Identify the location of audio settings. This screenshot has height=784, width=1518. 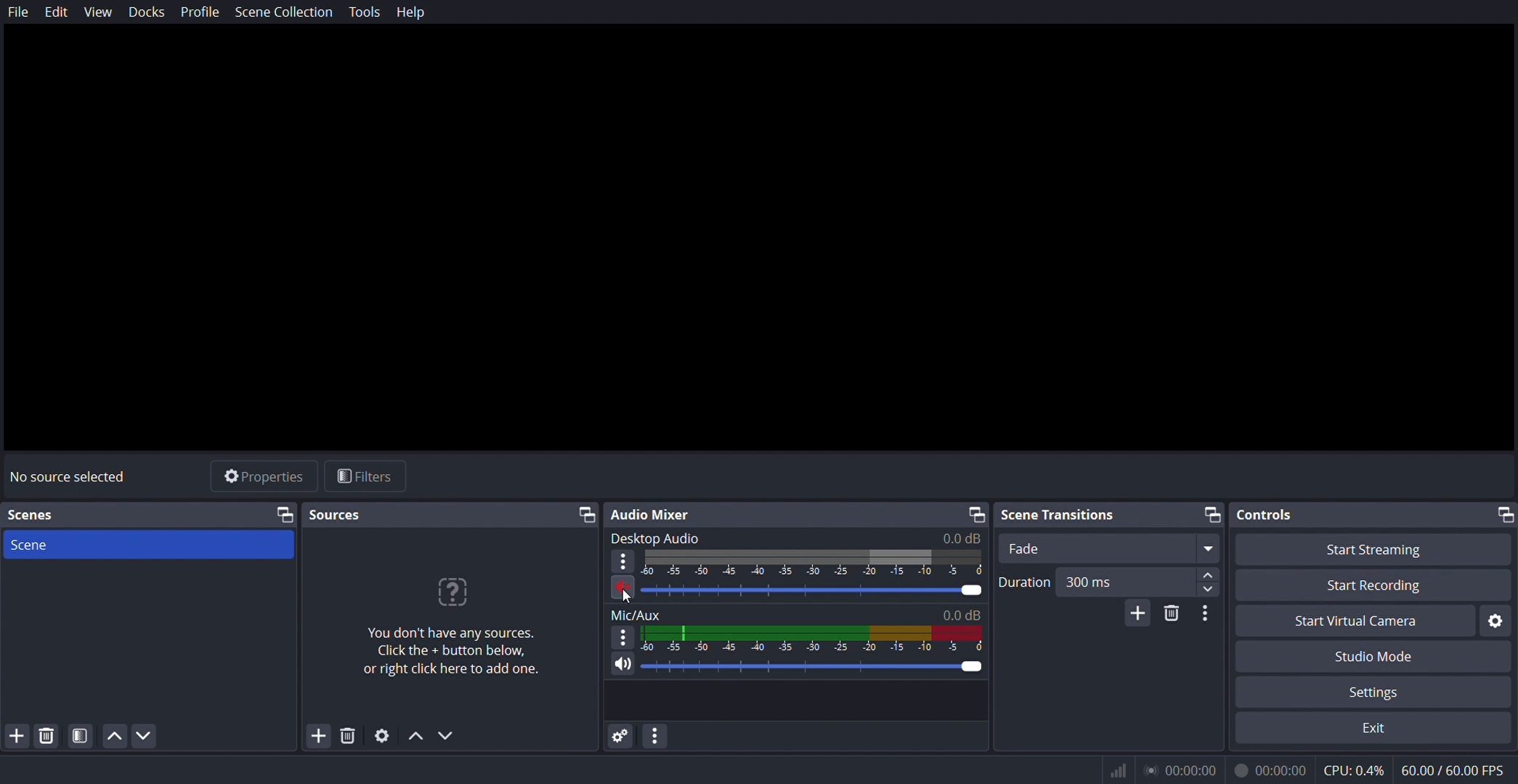
(621, 736).